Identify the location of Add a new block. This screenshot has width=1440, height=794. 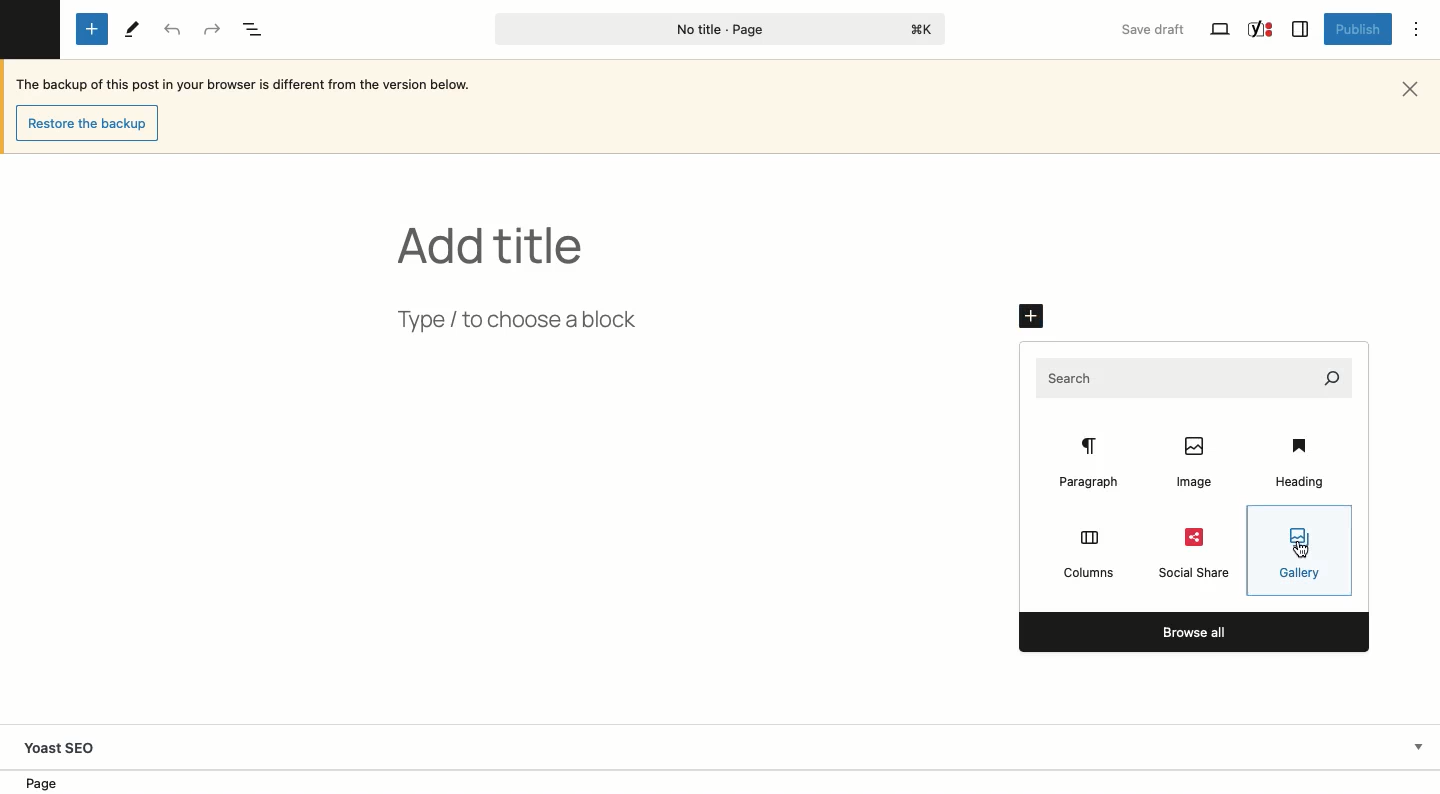
(1028, 316).